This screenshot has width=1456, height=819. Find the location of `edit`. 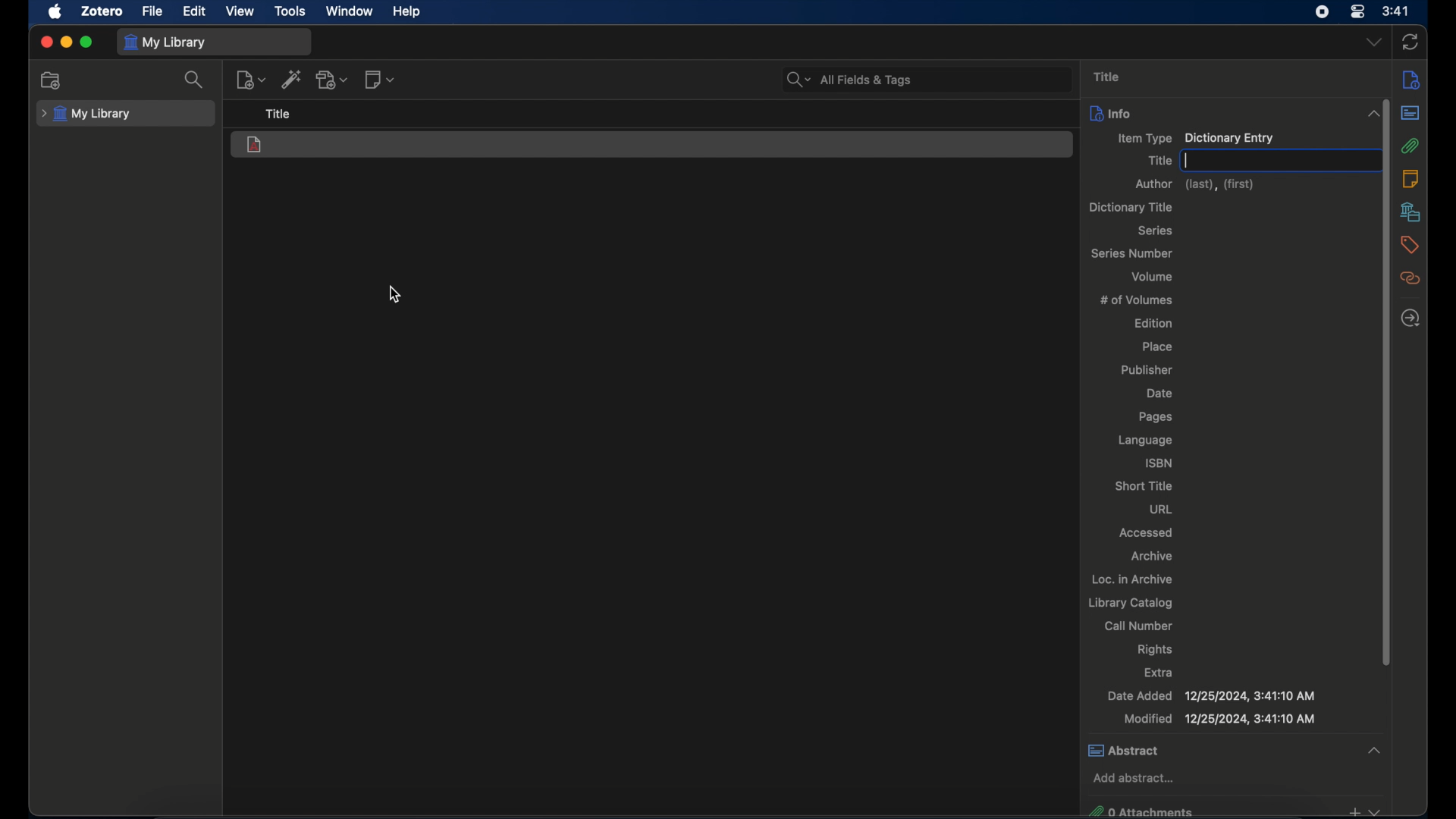

edit is located at coordinates (196, 12).